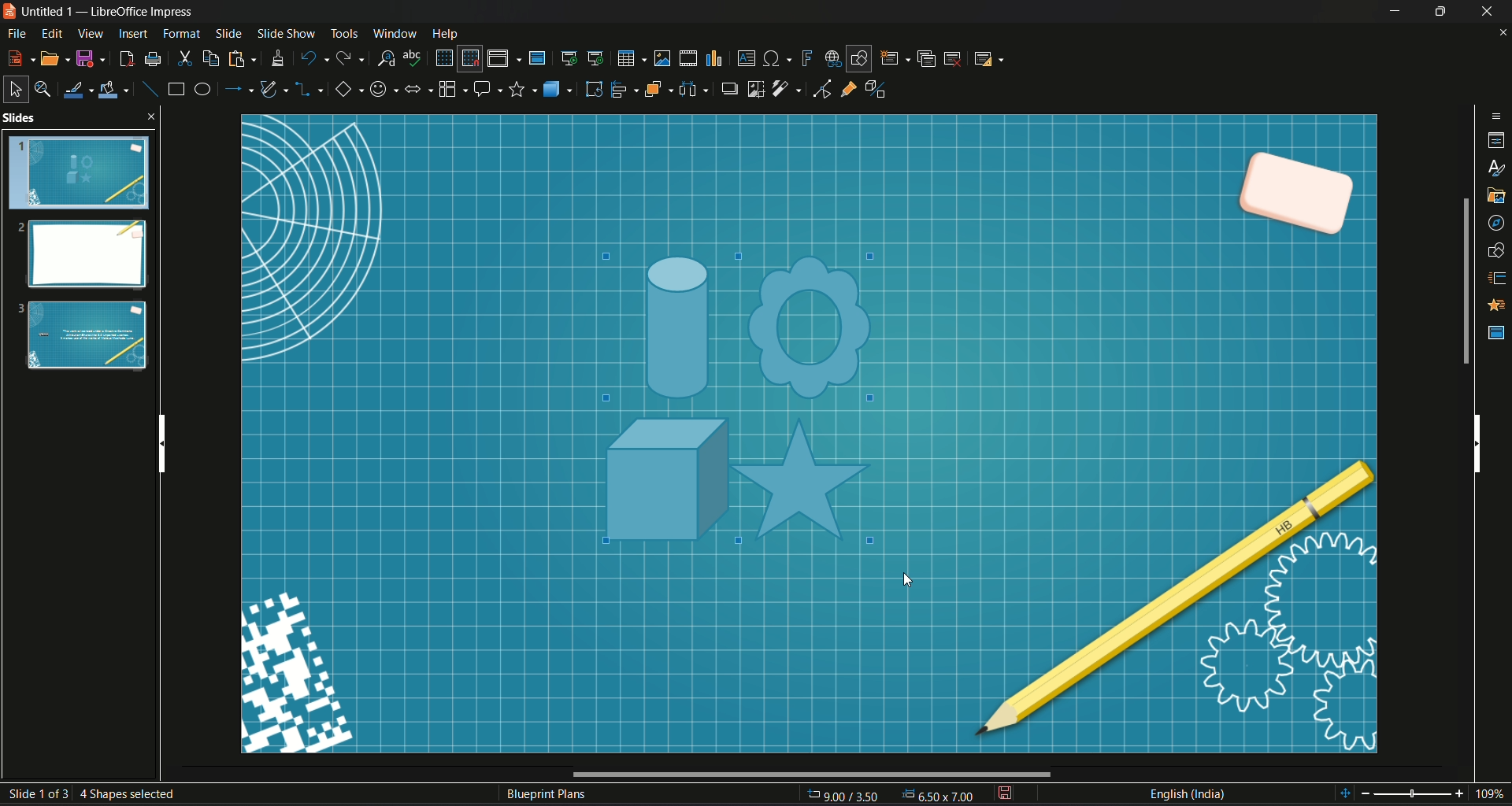  Describe the element at coordinates (1497, 142) in the screenshot. I see `properties` at that location.